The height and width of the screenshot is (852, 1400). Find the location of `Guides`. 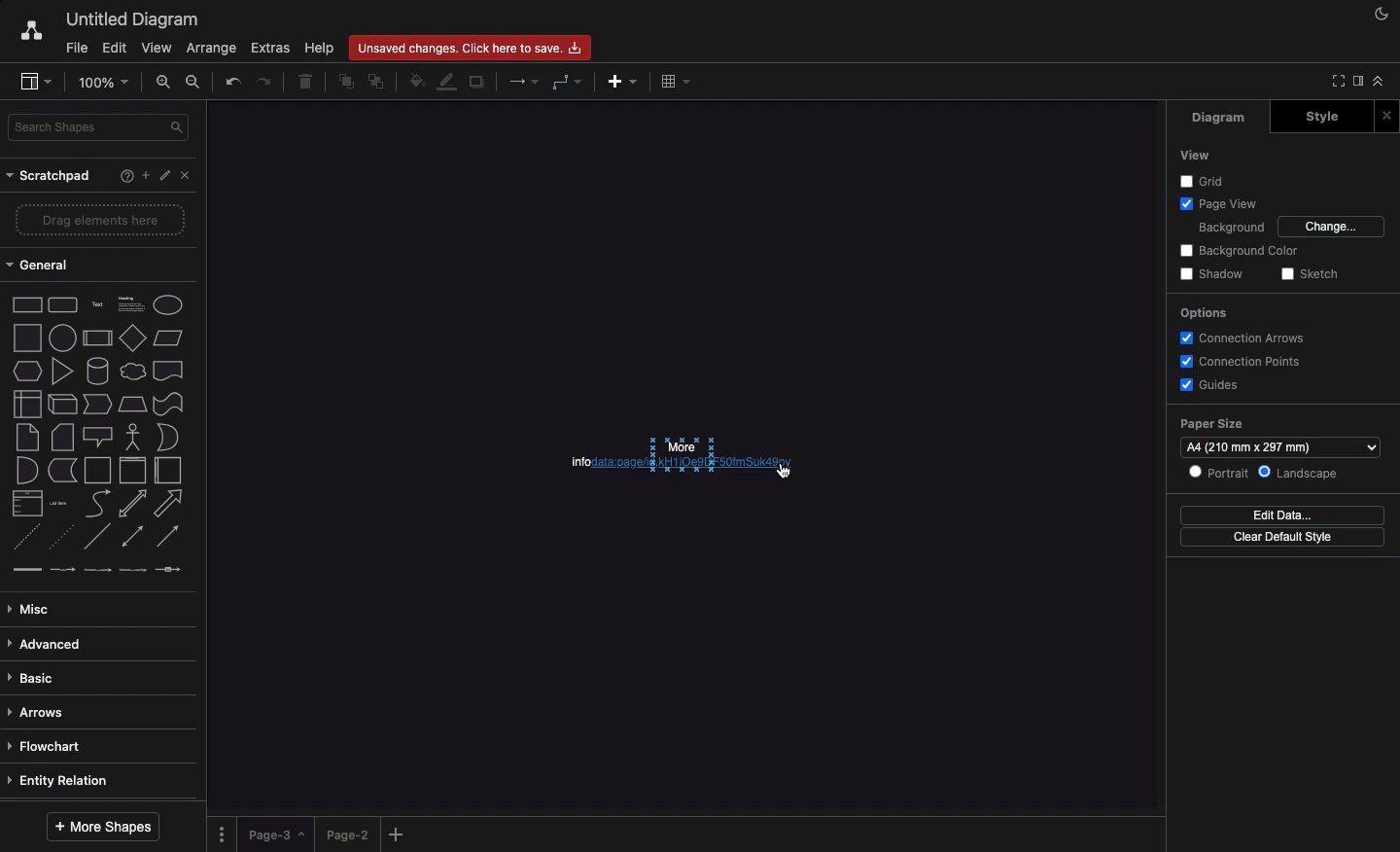

Guides is located at coordinates (1208, 385).